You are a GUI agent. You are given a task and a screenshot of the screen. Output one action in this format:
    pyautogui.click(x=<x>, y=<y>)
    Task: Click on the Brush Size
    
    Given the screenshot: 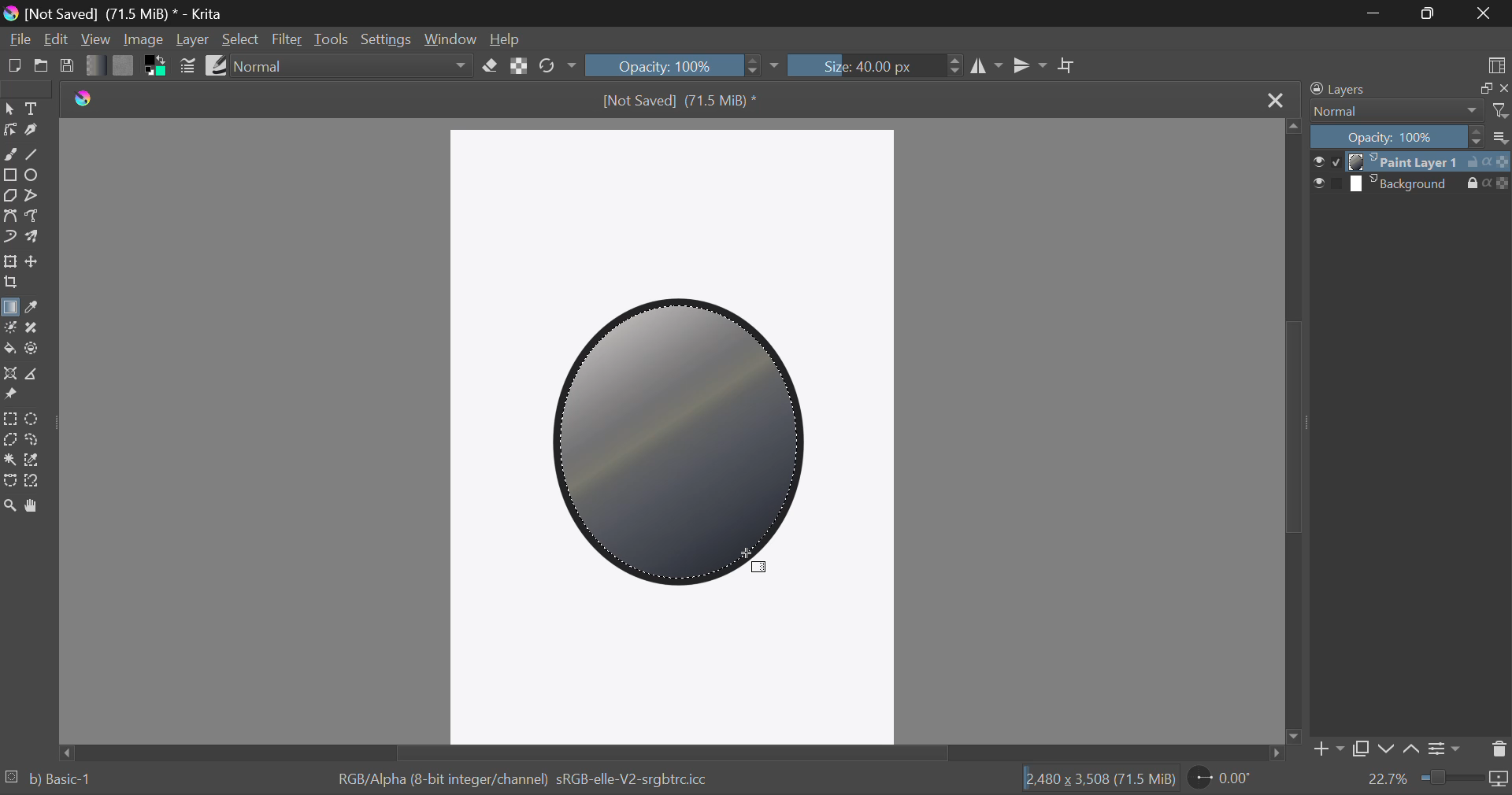 What is the action you would take?
    pyautogui.click(x=878, y=65)
    